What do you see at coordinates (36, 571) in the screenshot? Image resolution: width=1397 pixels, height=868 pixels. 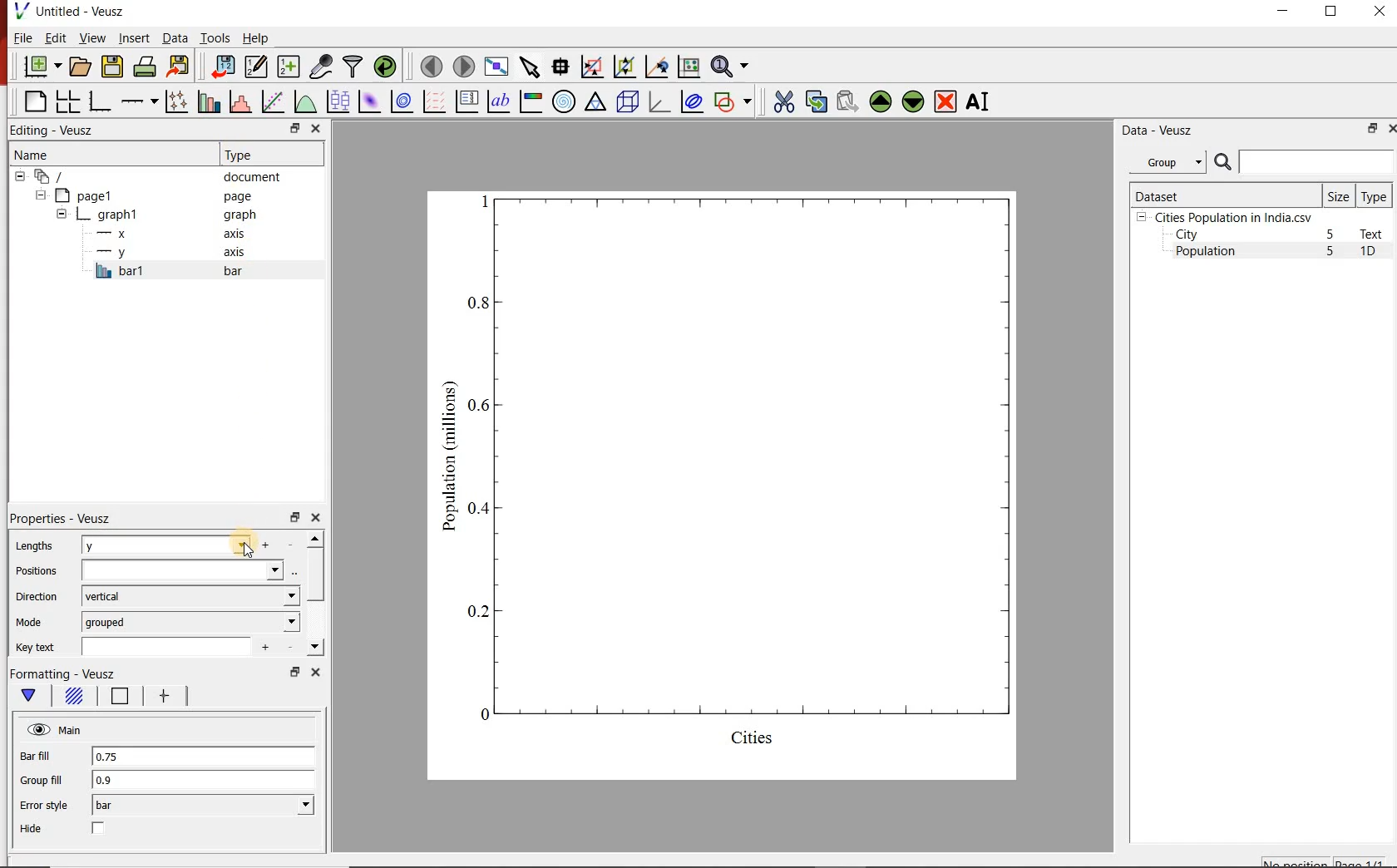 I see `Positions` at bounding box center [36, 571].